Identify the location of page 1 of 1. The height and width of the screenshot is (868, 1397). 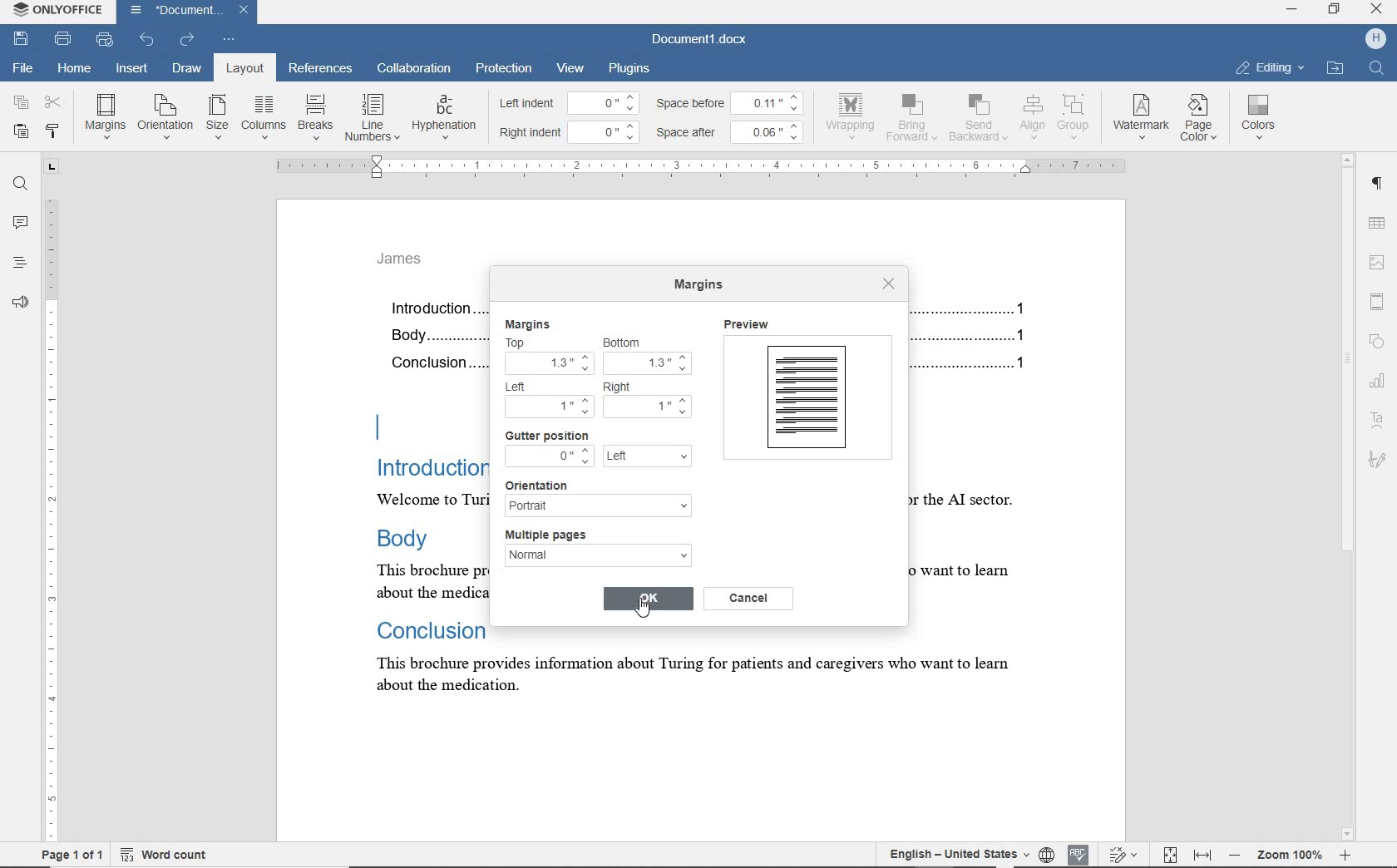
(72, 854).